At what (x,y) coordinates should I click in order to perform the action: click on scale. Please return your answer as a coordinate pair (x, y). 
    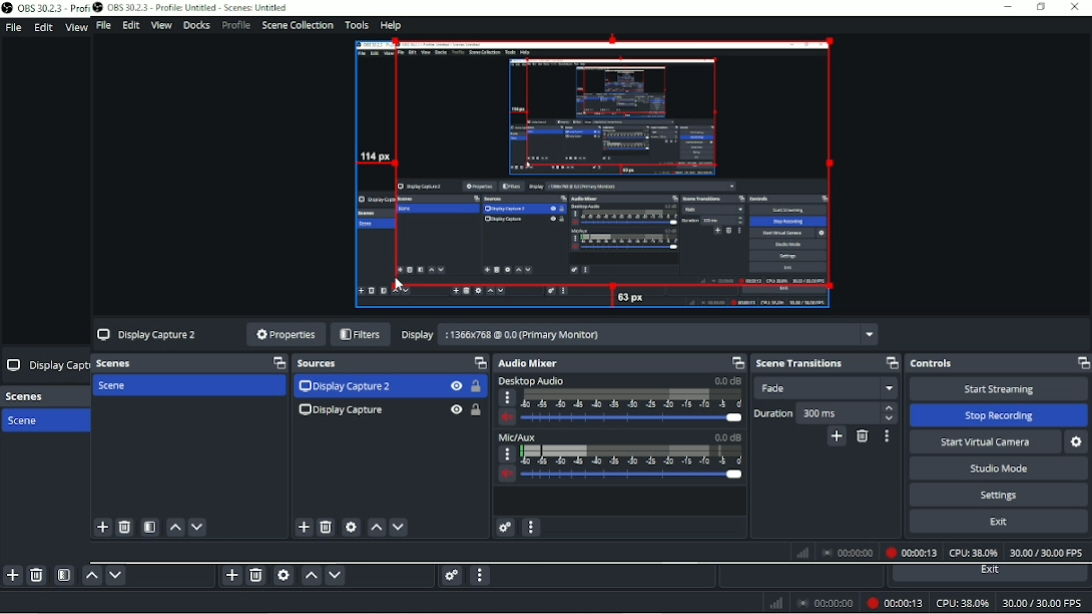
    Looking at the image, I should click on (636, 401).